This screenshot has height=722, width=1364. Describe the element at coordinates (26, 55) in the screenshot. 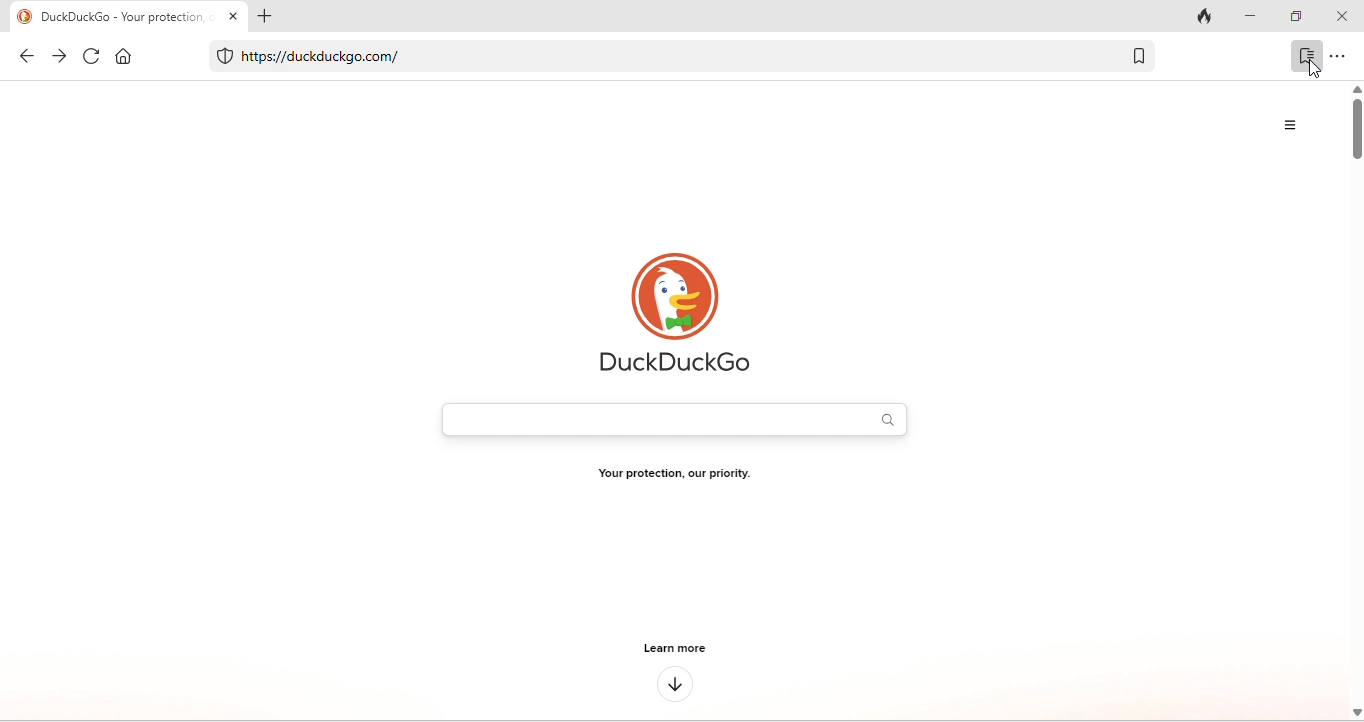

I see `back` at that location.